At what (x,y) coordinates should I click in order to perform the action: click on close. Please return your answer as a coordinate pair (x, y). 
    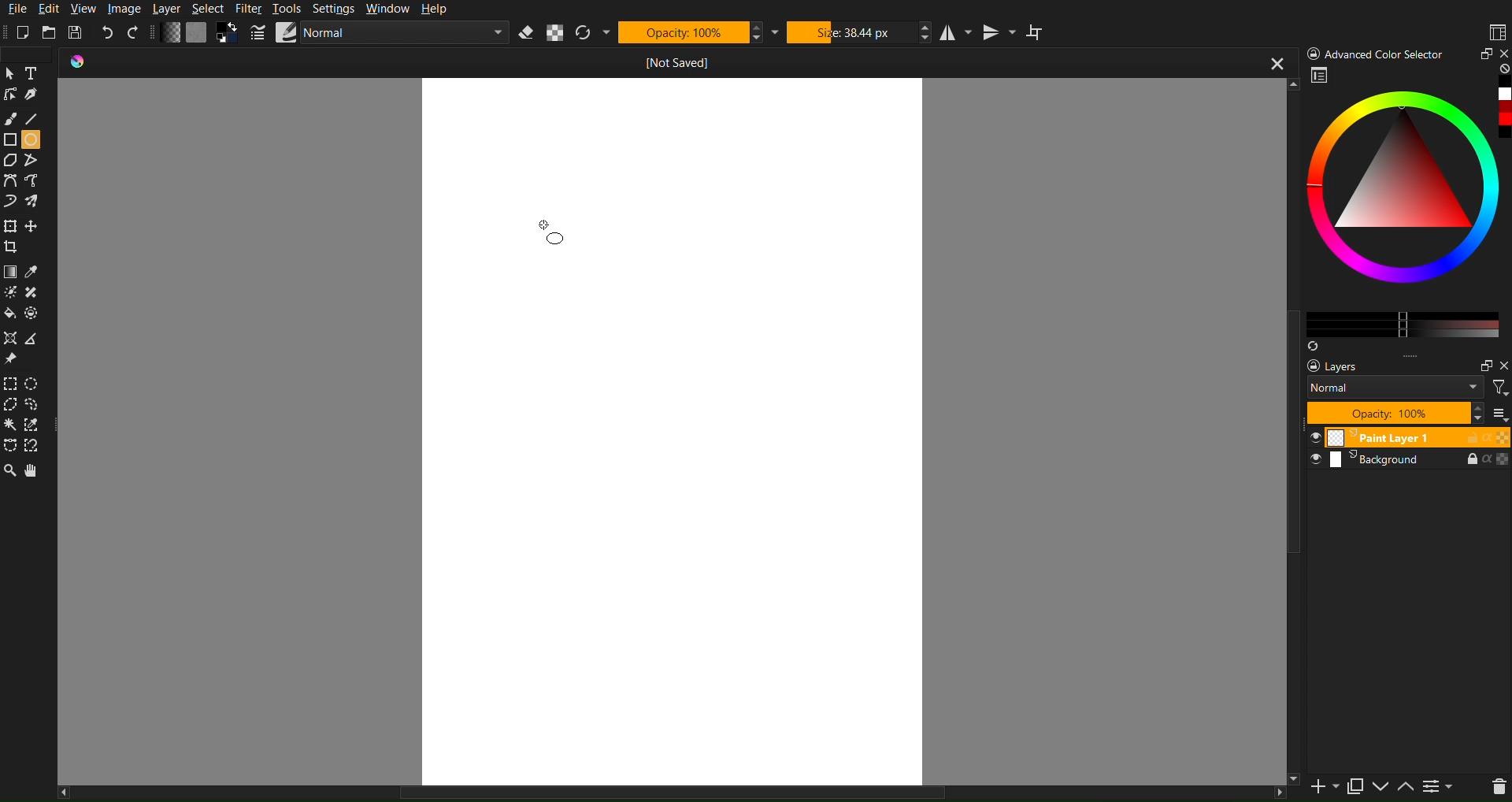
    Looking at the image, I should click on (1269, 59).